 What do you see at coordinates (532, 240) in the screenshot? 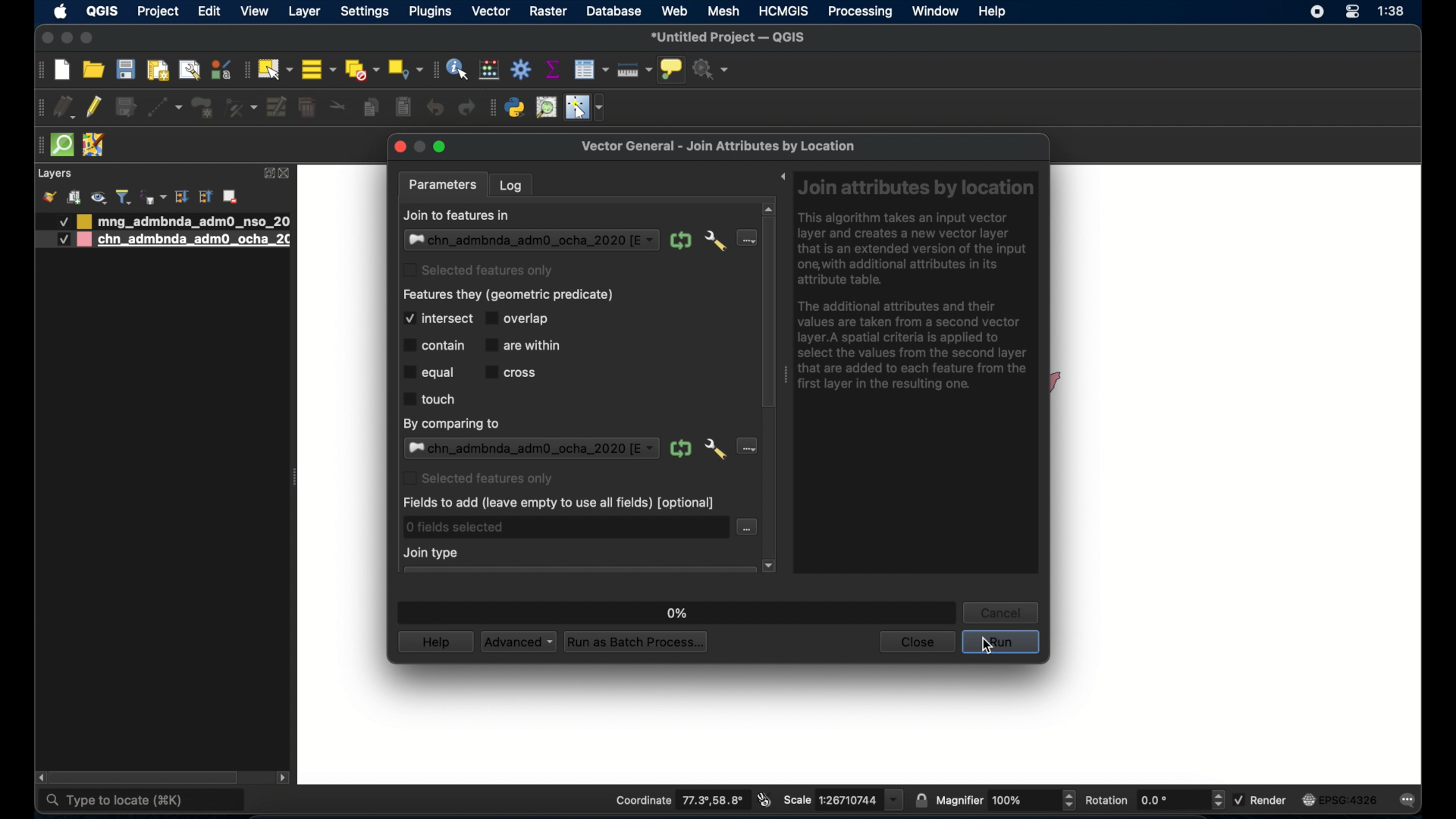
I see `input layer dropdown menu` at bounding box center [532, 240].